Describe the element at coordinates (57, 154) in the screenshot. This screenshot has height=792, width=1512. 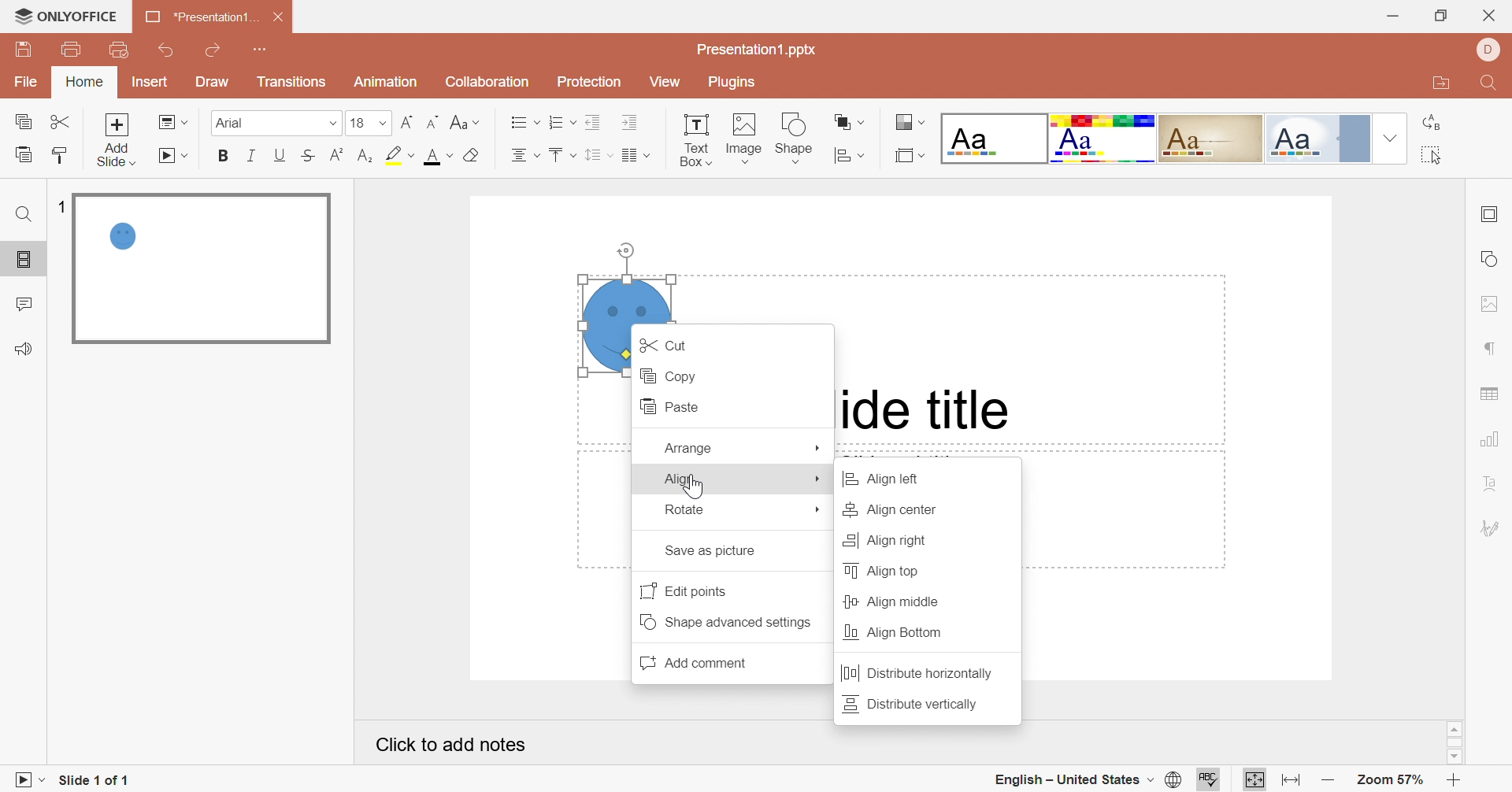
I see `Copy style` at that location.